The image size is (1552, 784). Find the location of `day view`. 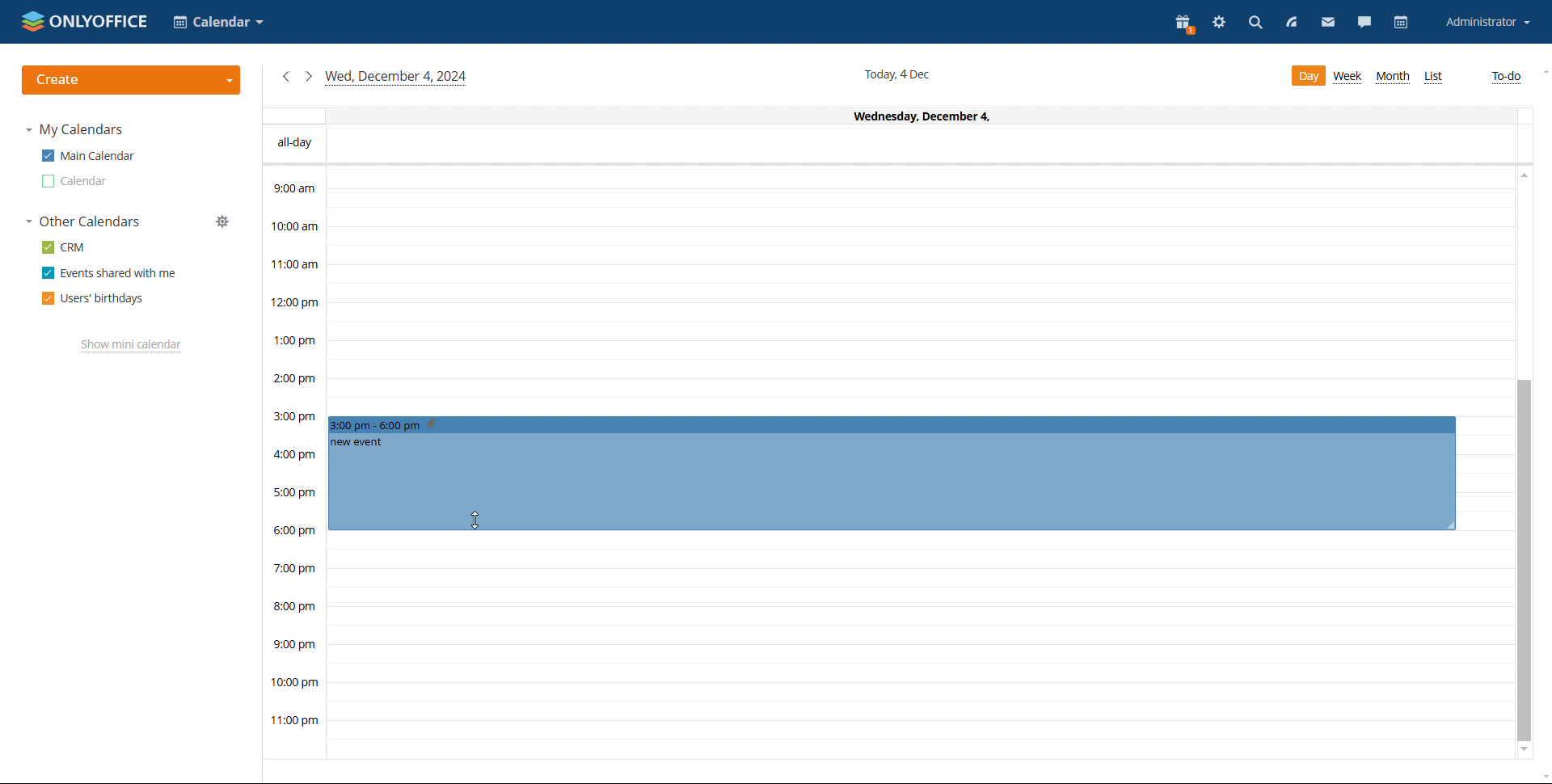

day view is located at coordinates (1307, 76).